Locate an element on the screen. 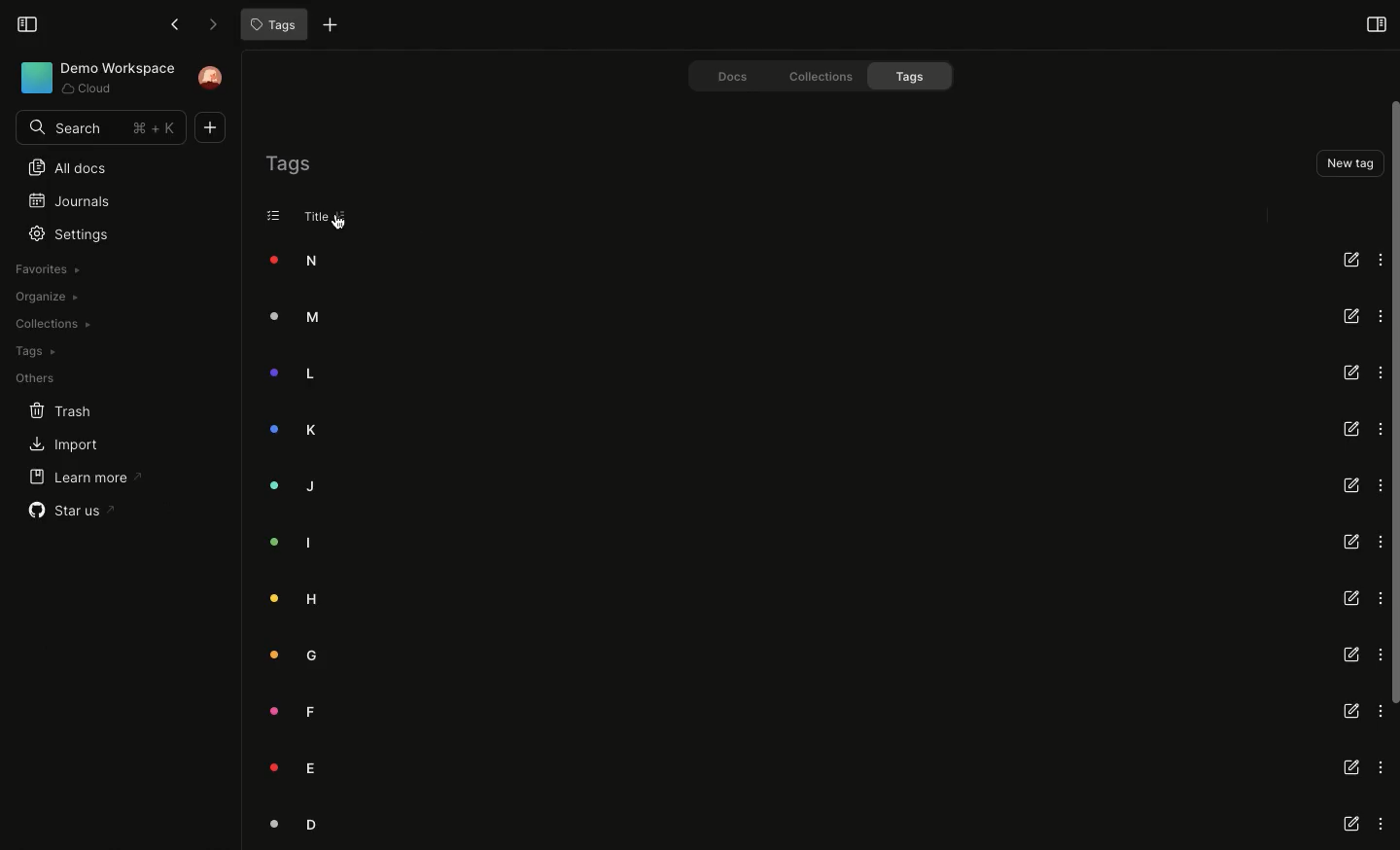 The image size is (1400, 850). Docs is located at coordinates (721, 74).